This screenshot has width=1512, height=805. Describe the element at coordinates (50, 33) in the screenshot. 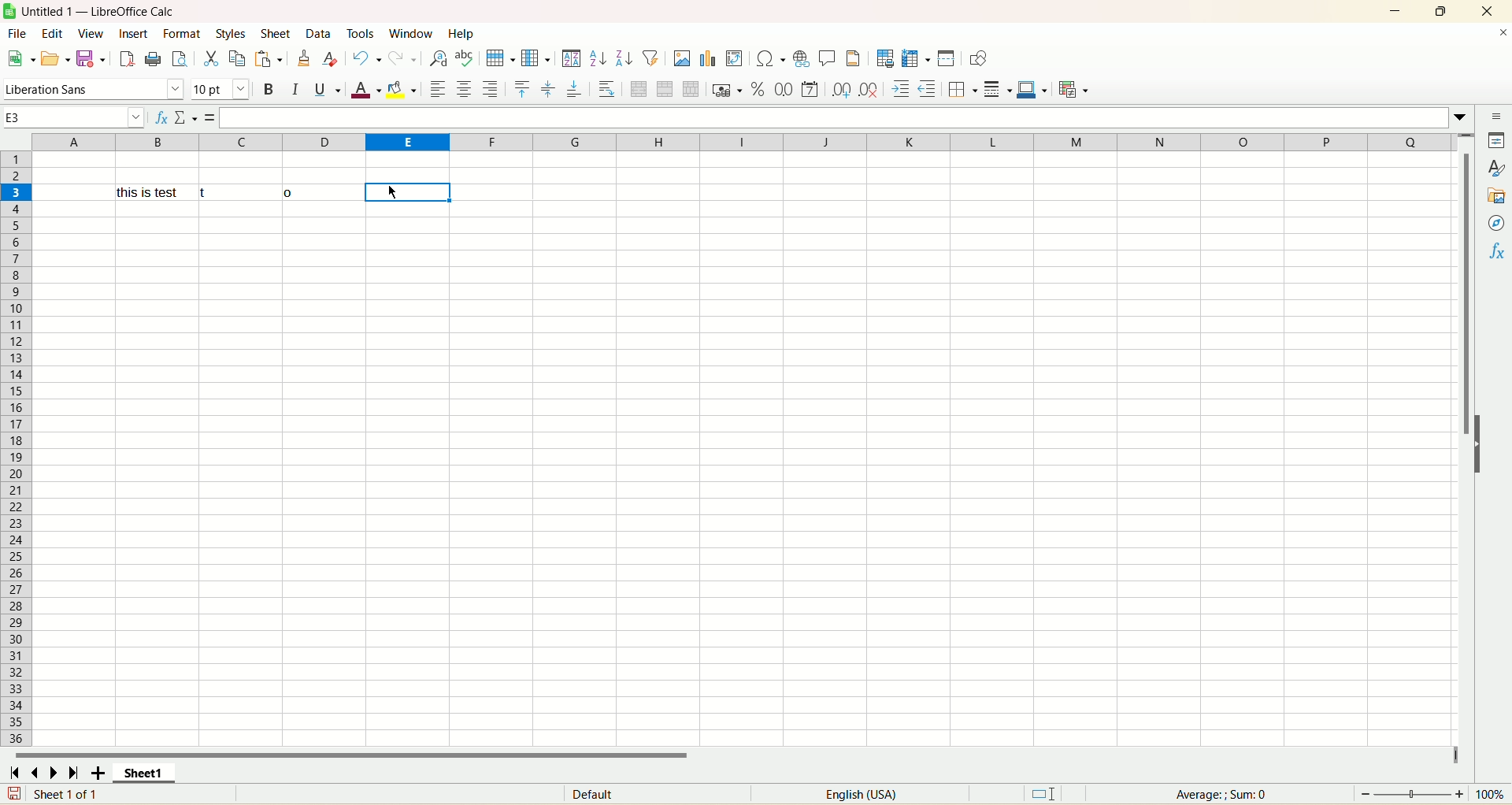

I see `edit` at that location.